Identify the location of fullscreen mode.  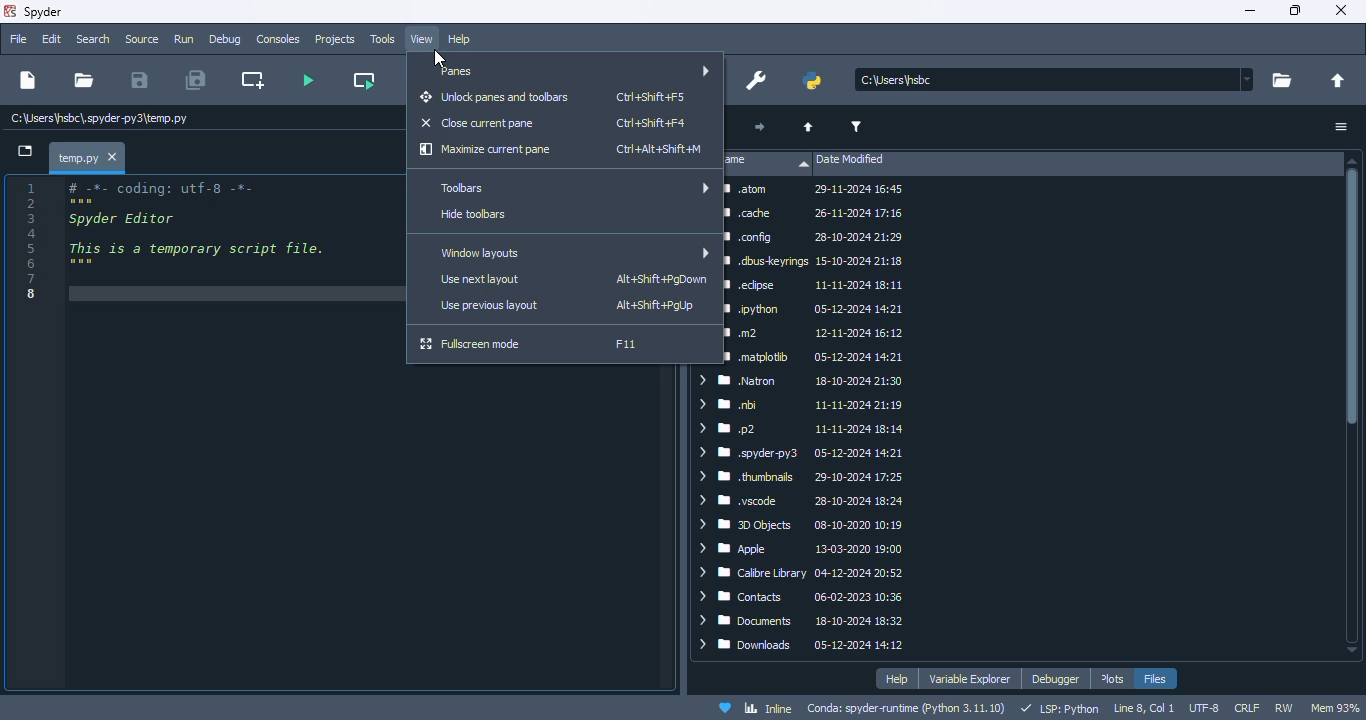
(470, 344).